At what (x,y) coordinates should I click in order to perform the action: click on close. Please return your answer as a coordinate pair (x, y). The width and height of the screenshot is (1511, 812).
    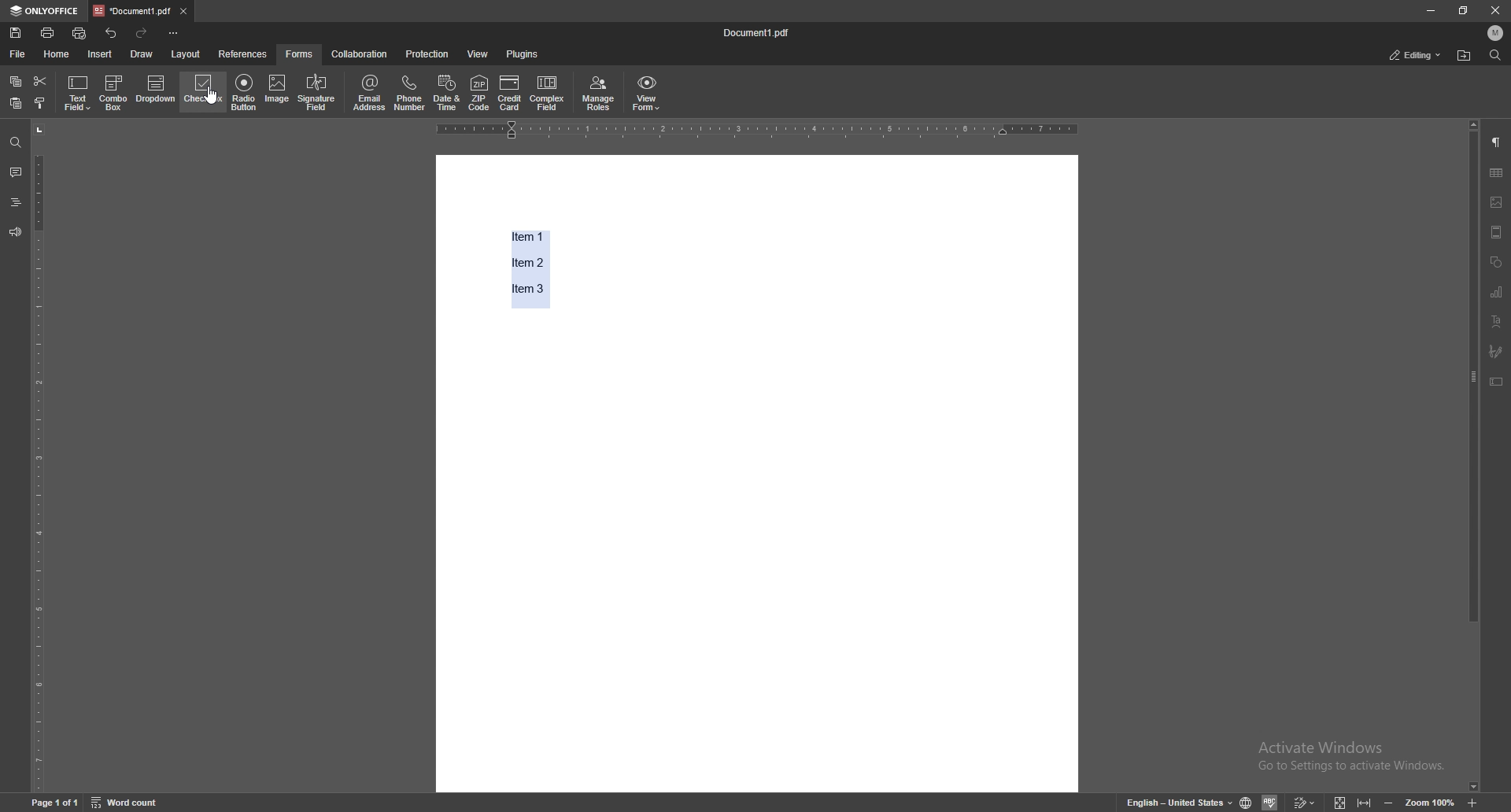
    Looking at the image, I should click on (1494, 10).